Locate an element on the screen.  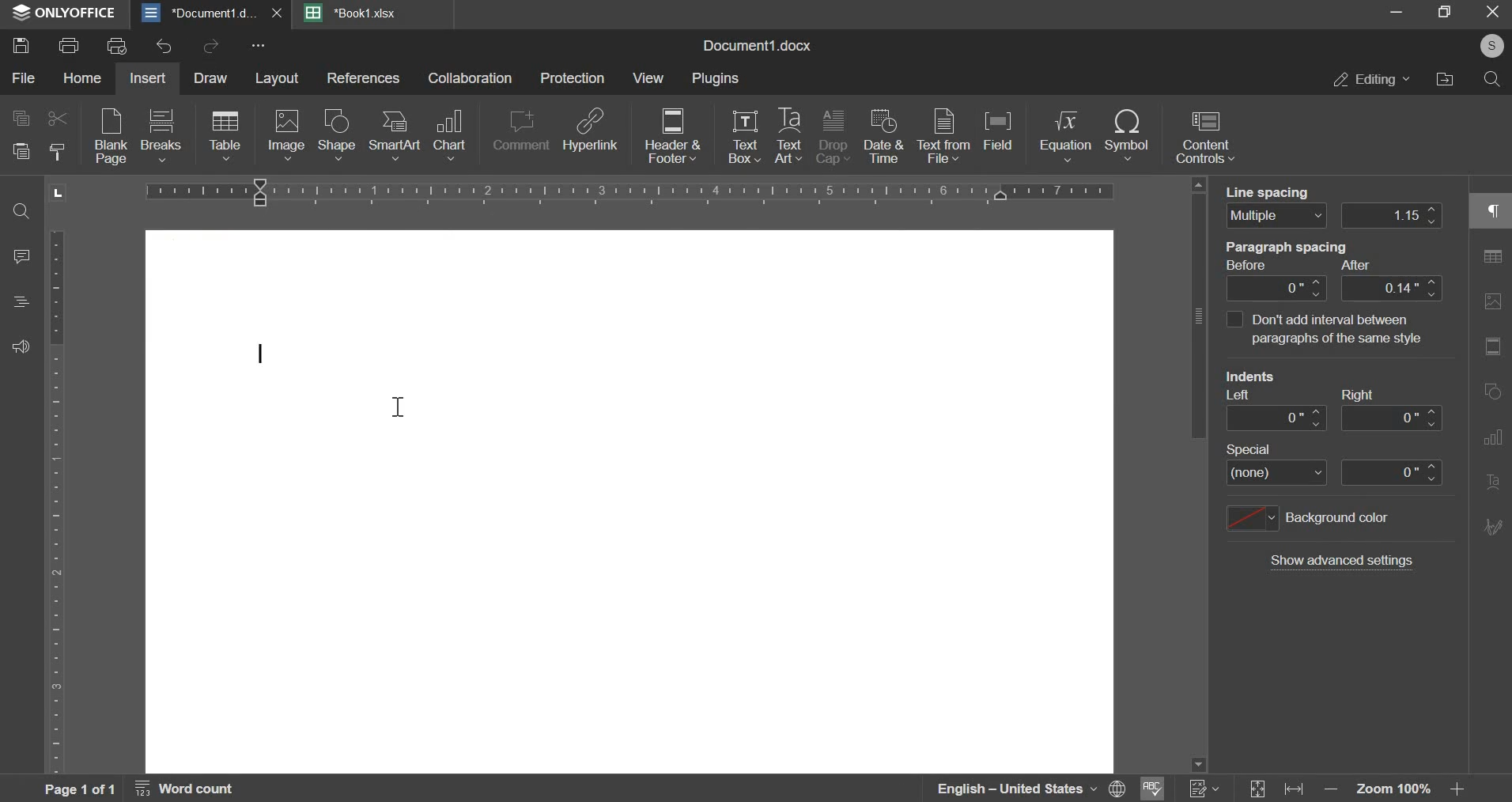
field is located at coordinates (1003, 136).